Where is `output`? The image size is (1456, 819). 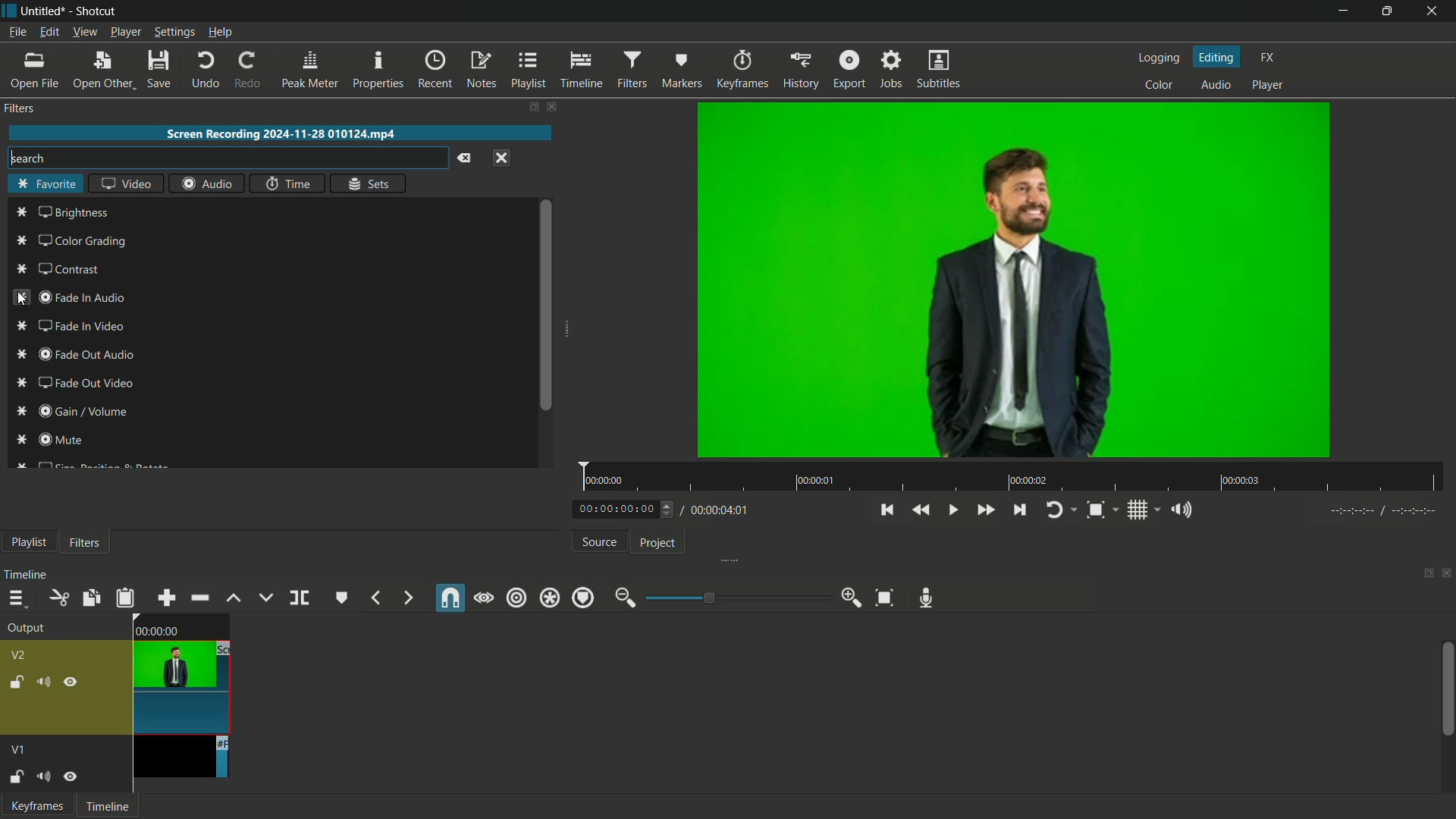 output is located at coordinates (24, 627).